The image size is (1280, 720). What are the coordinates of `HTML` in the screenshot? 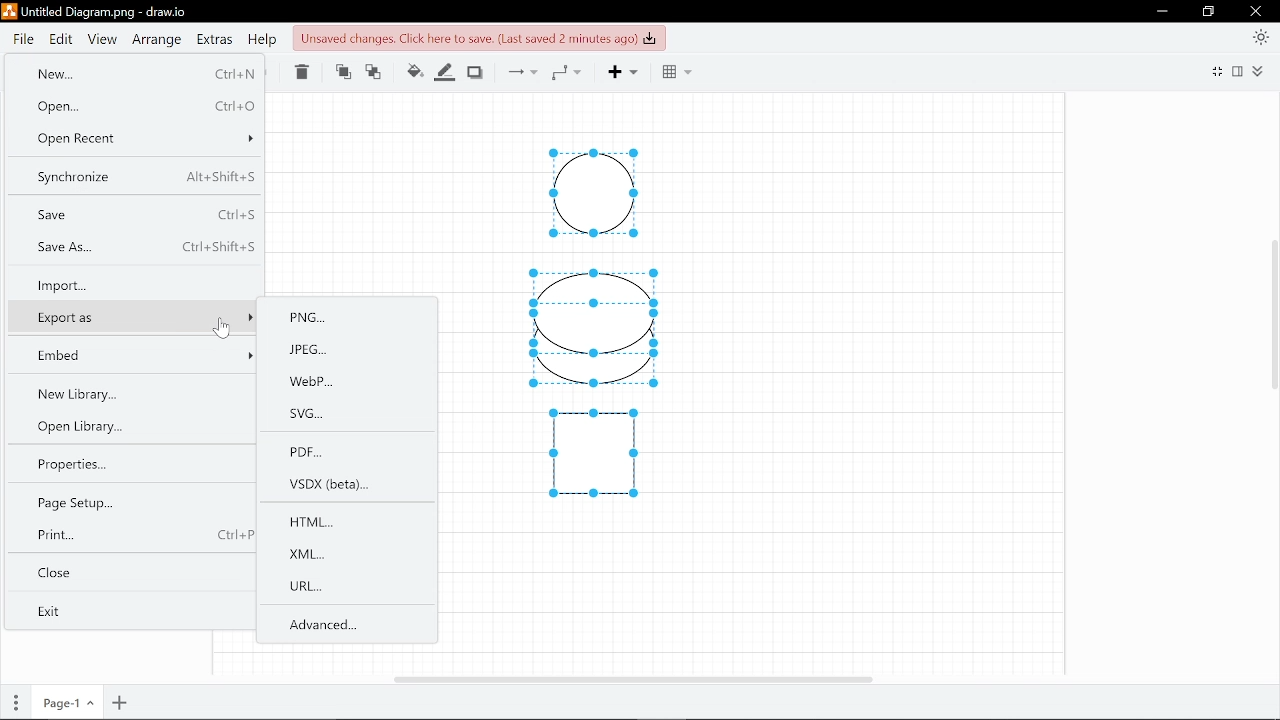 It's located at (351, 523).